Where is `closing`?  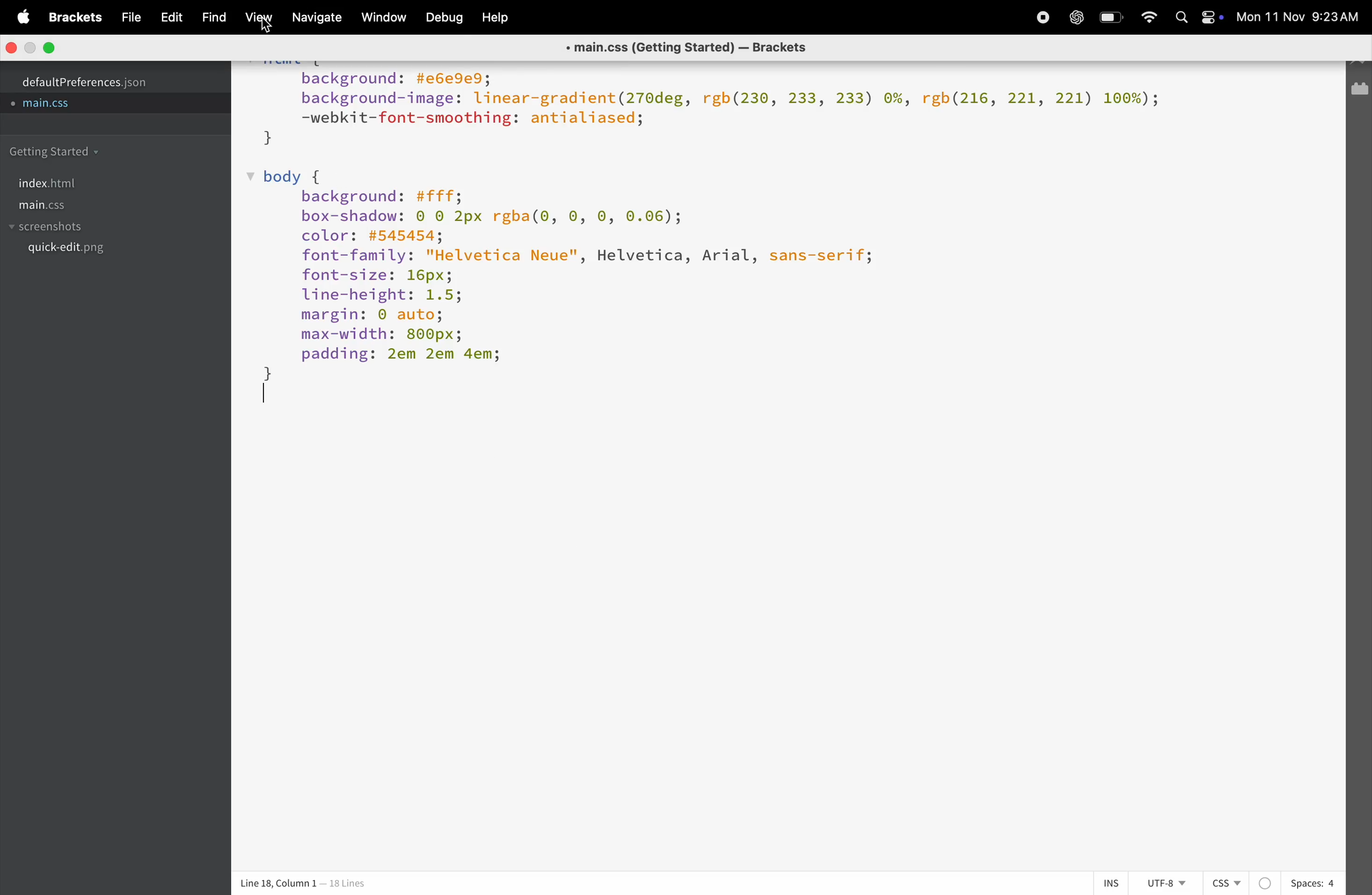
closing is located at coordinates (13, 48).